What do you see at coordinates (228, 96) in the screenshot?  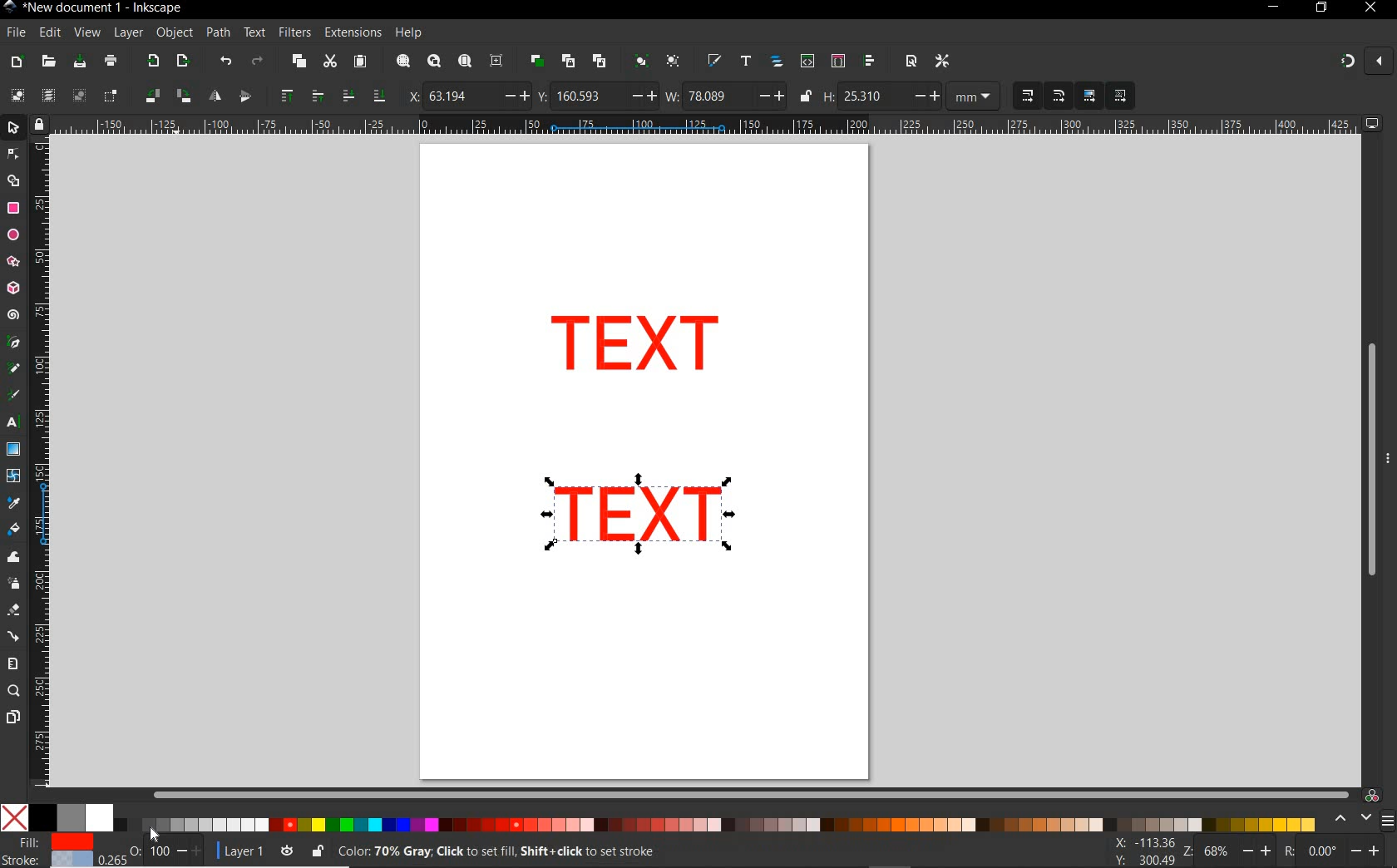 I see `object flip` at bounding box center [228, 96].